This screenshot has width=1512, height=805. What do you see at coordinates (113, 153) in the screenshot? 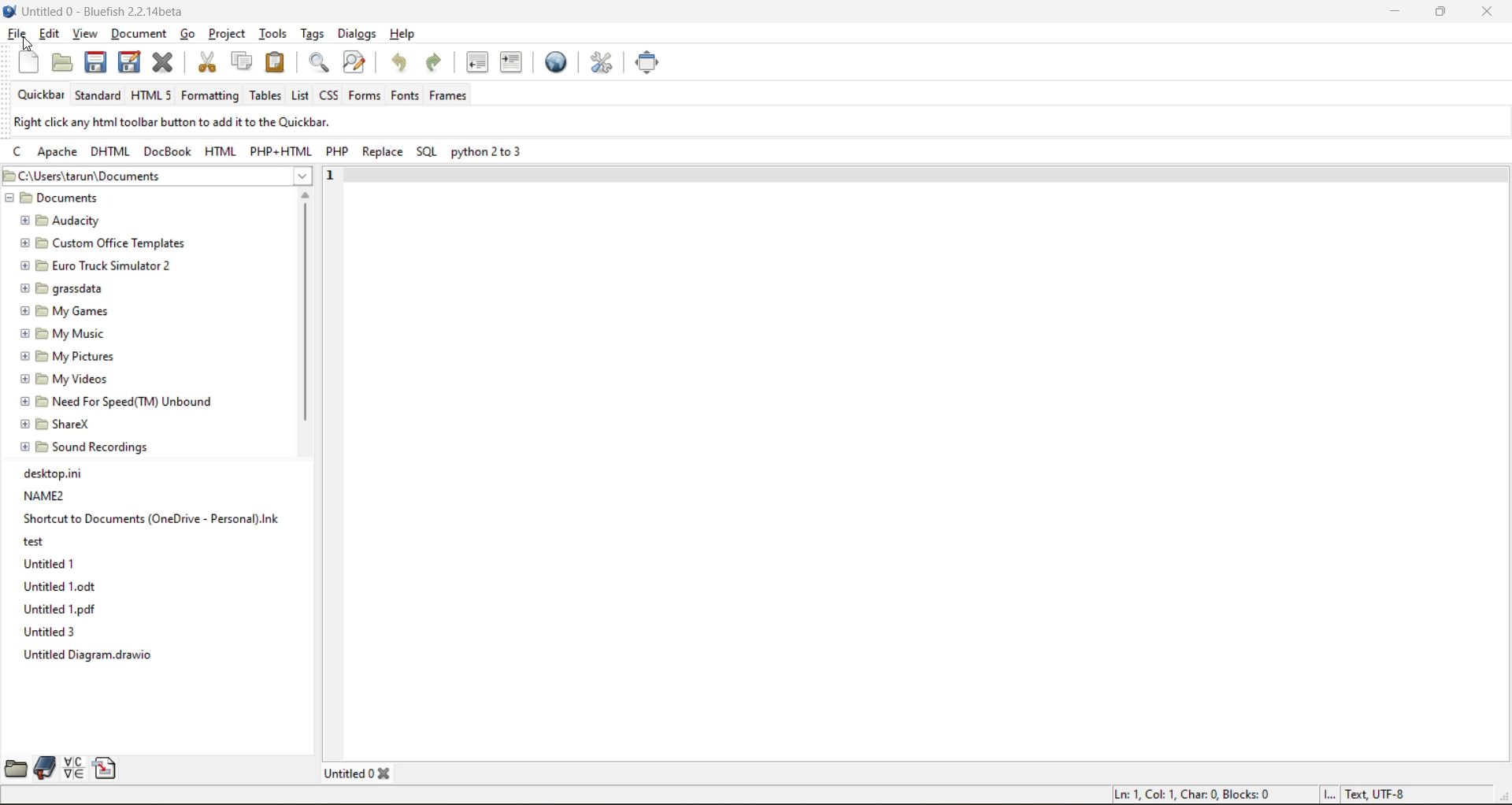
I see `dhtml` at bounding box center [113, 153].